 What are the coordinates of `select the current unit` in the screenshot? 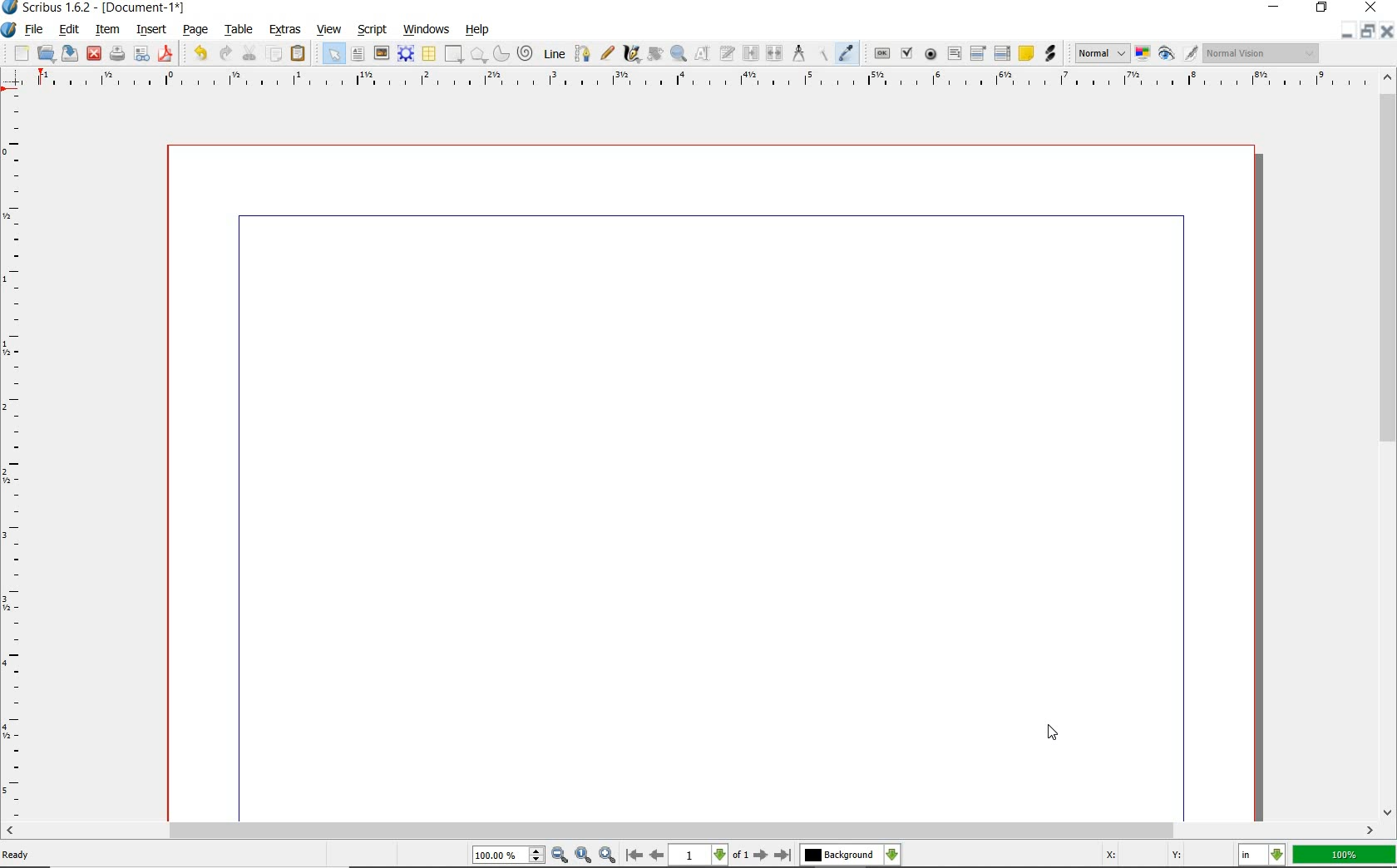 It's located at (1261, 856).